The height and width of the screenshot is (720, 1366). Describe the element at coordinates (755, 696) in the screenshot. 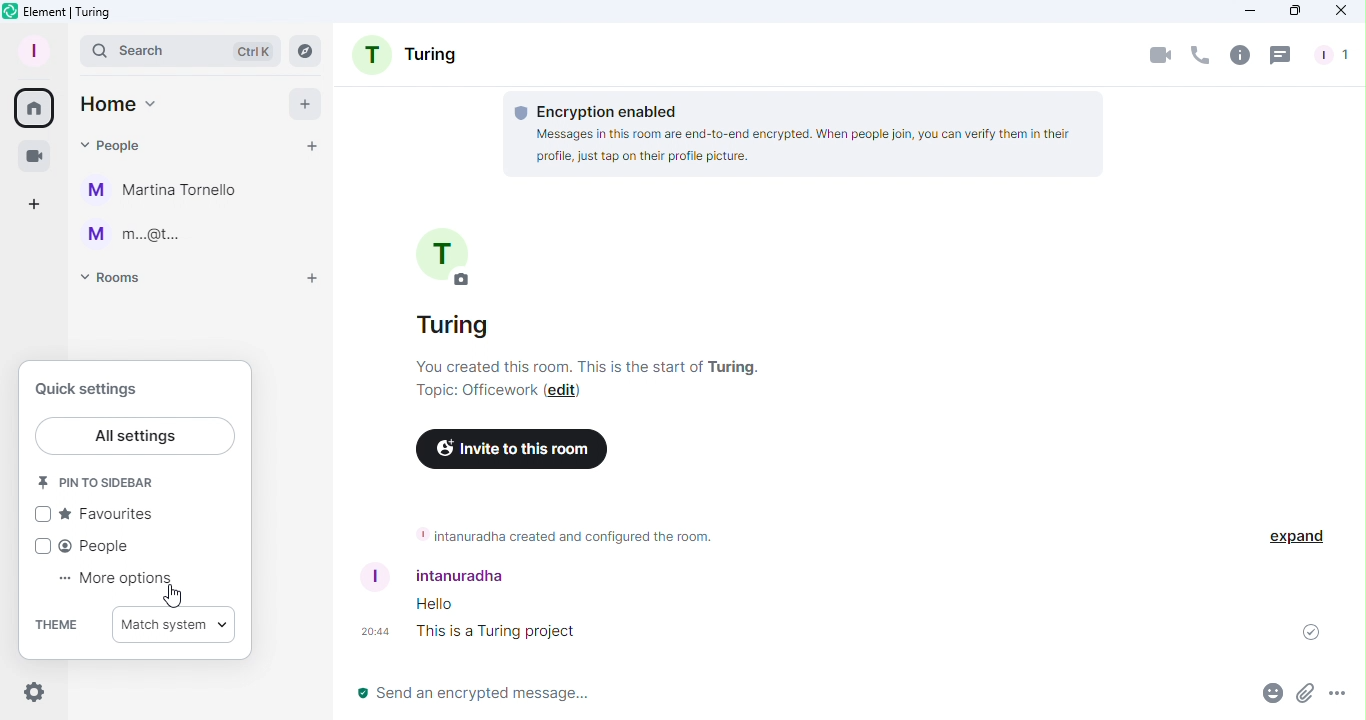

I see `Write messages` at that location.